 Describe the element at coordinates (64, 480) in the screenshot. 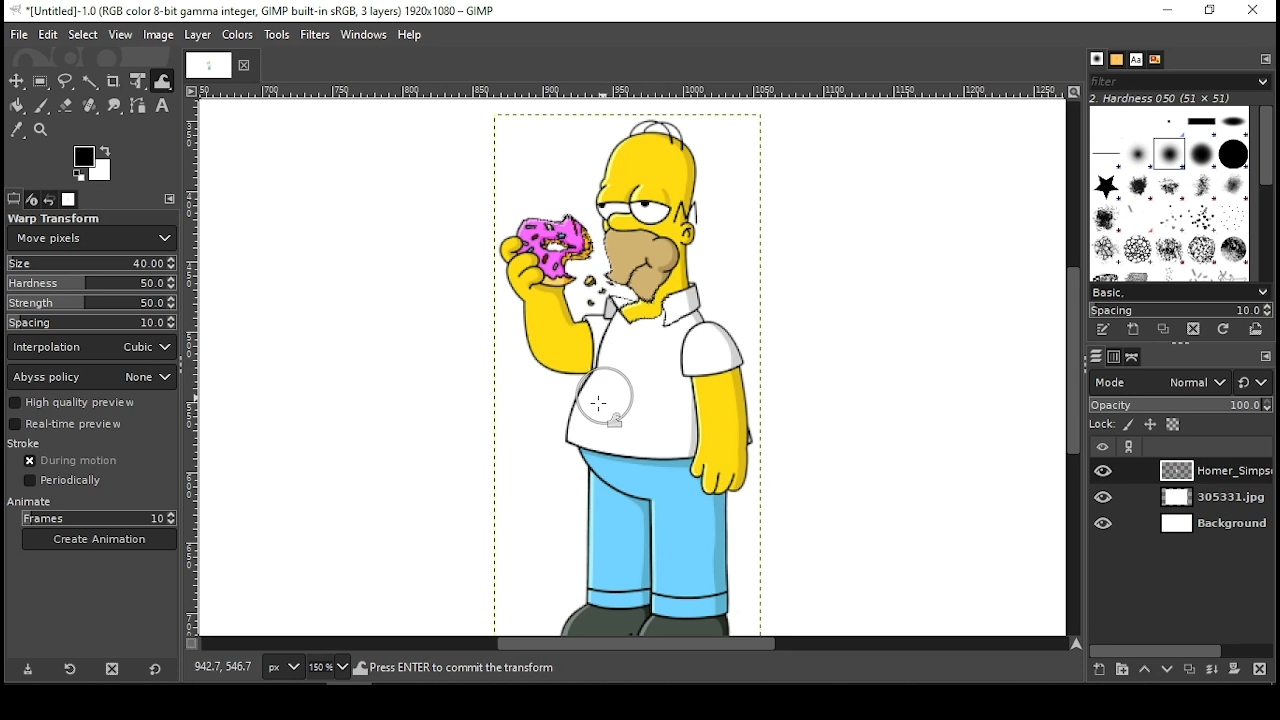

I see `periodically` at that location.